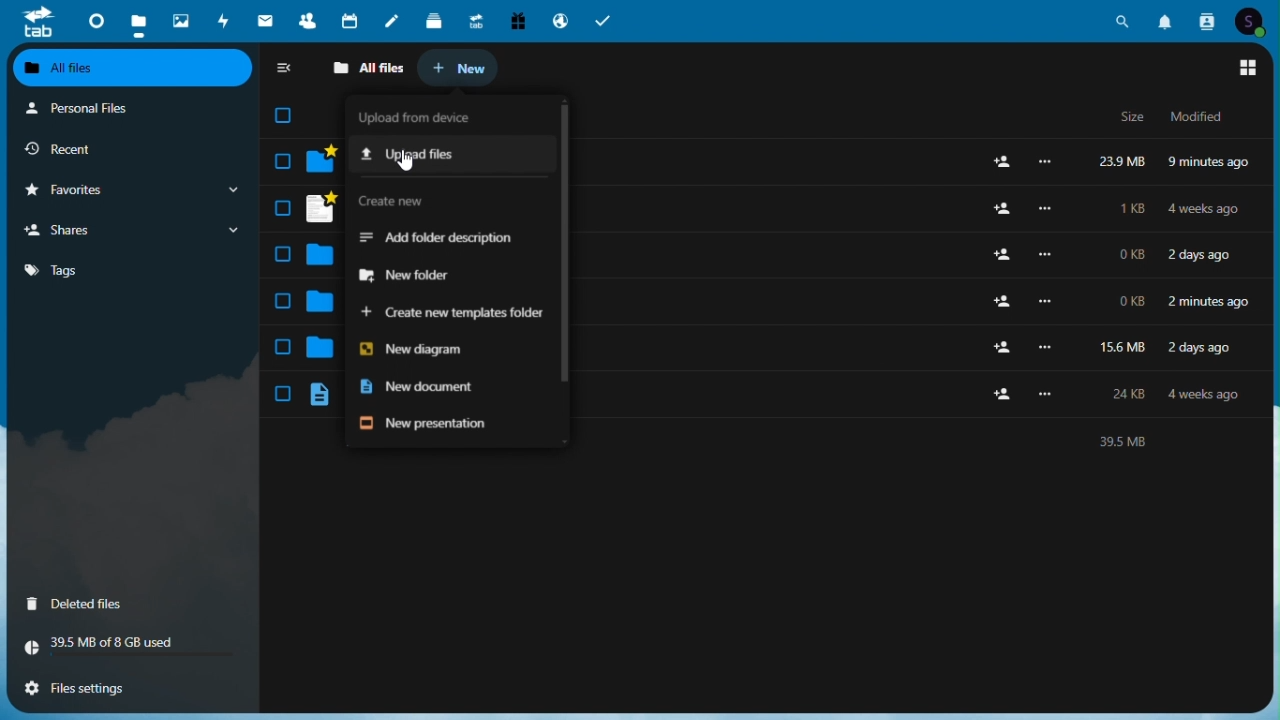 This screenshot has width=1280, height=720. What do you see at coordinates (449, 424) in the screenshot?
I see `New presentation` at bounding box center [449, 424].